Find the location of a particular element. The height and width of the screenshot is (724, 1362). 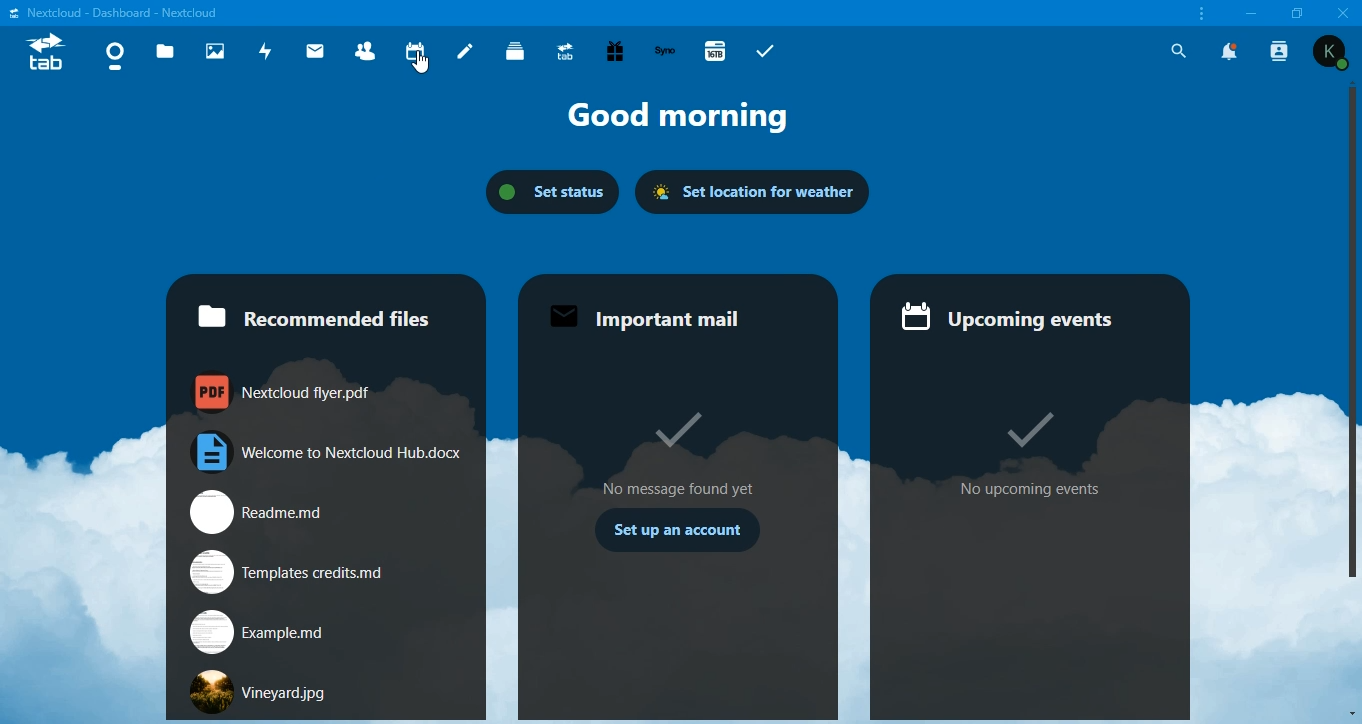

contact is located at coordinates (366, 52).